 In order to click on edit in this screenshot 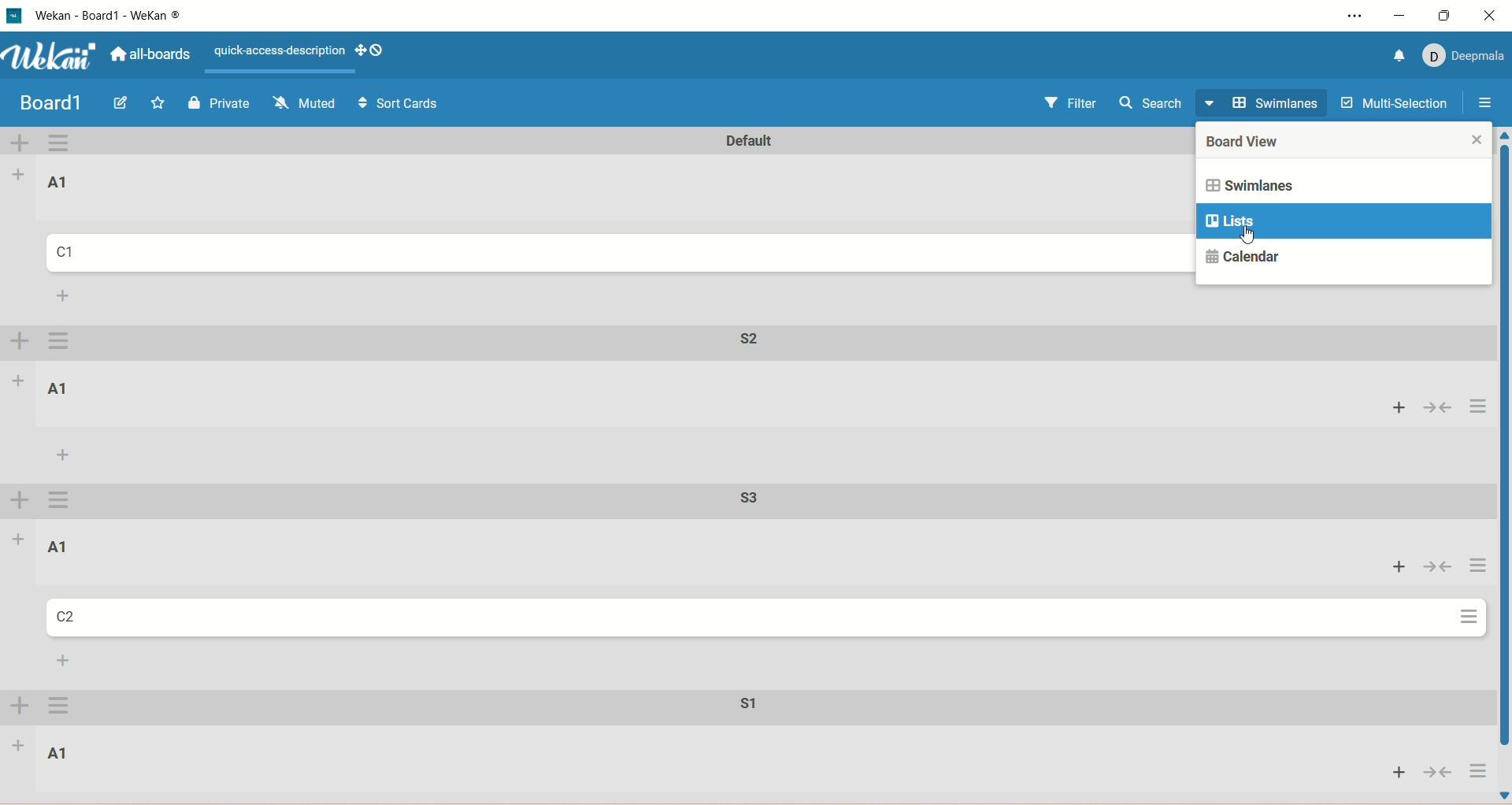, I will do `click(120, 102)`.